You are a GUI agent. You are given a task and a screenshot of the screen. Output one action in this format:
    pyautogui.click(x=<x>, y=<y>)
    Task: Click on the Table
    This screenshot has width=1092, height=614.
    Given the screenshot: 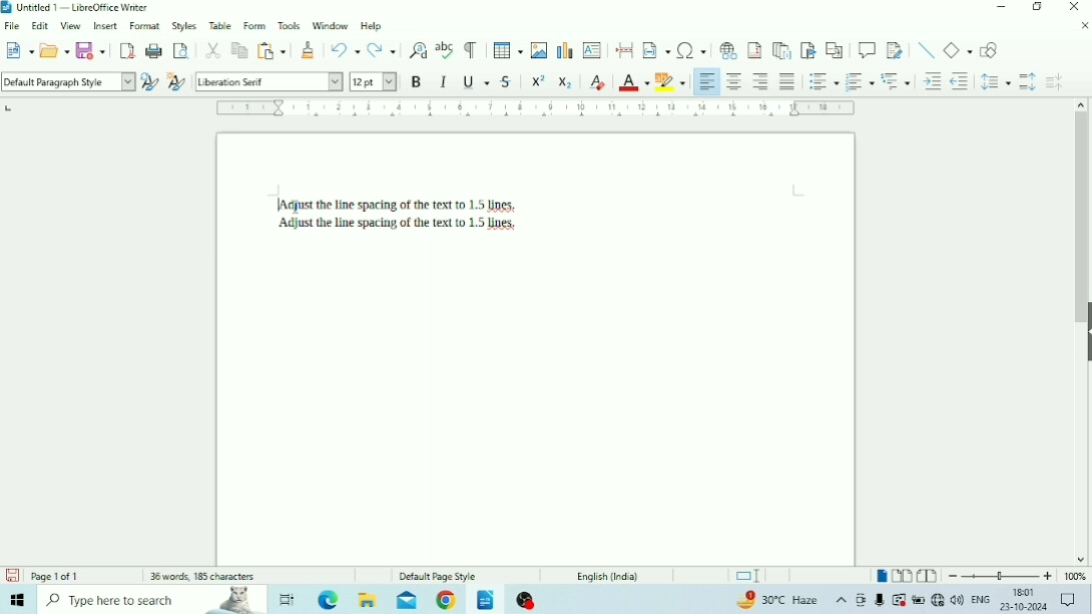 What is the action you would take?
    pyautogui.click(x=221, y=25)
    